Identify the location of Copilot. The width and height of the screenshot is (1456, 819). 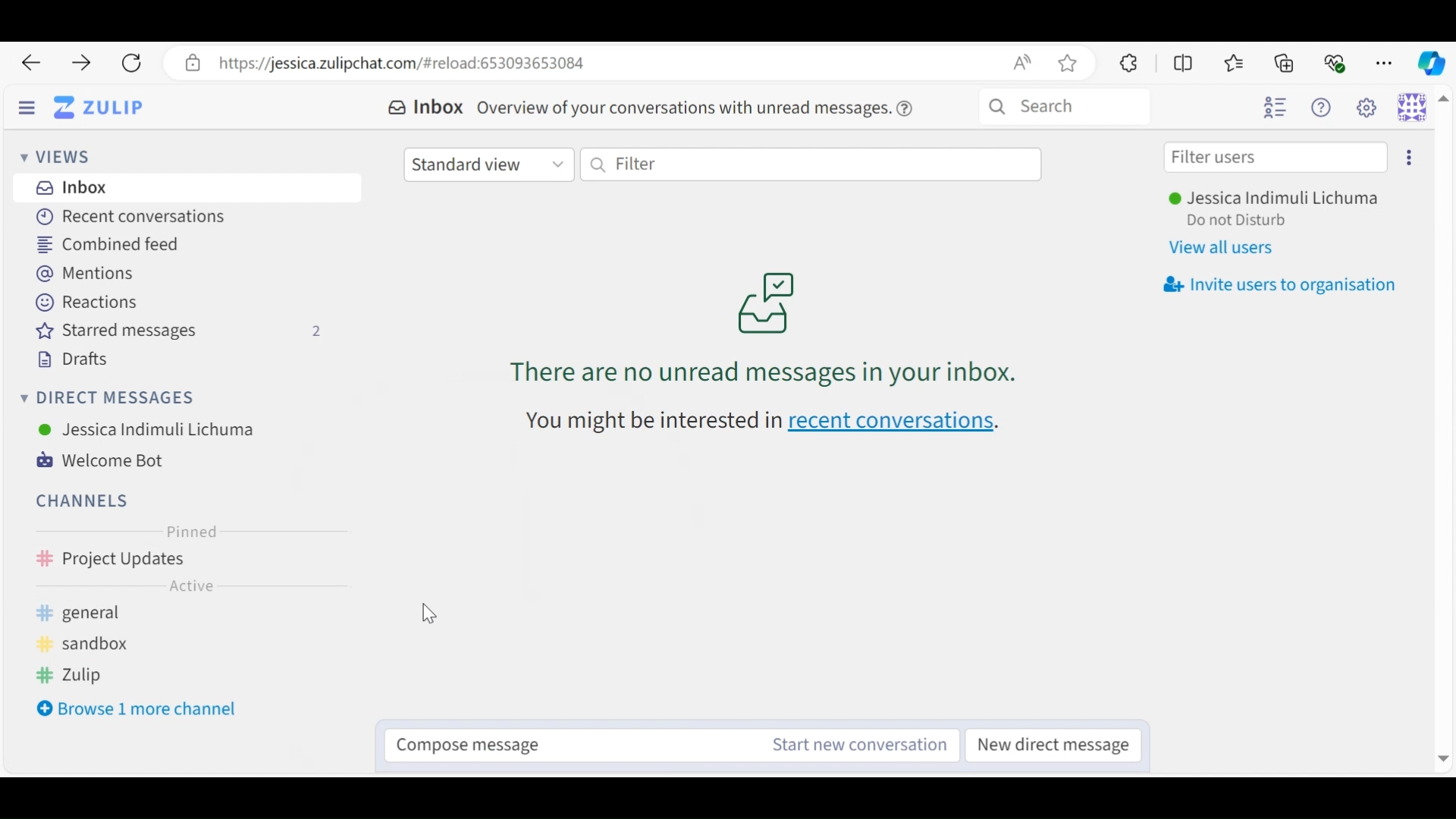
(1430, 61).